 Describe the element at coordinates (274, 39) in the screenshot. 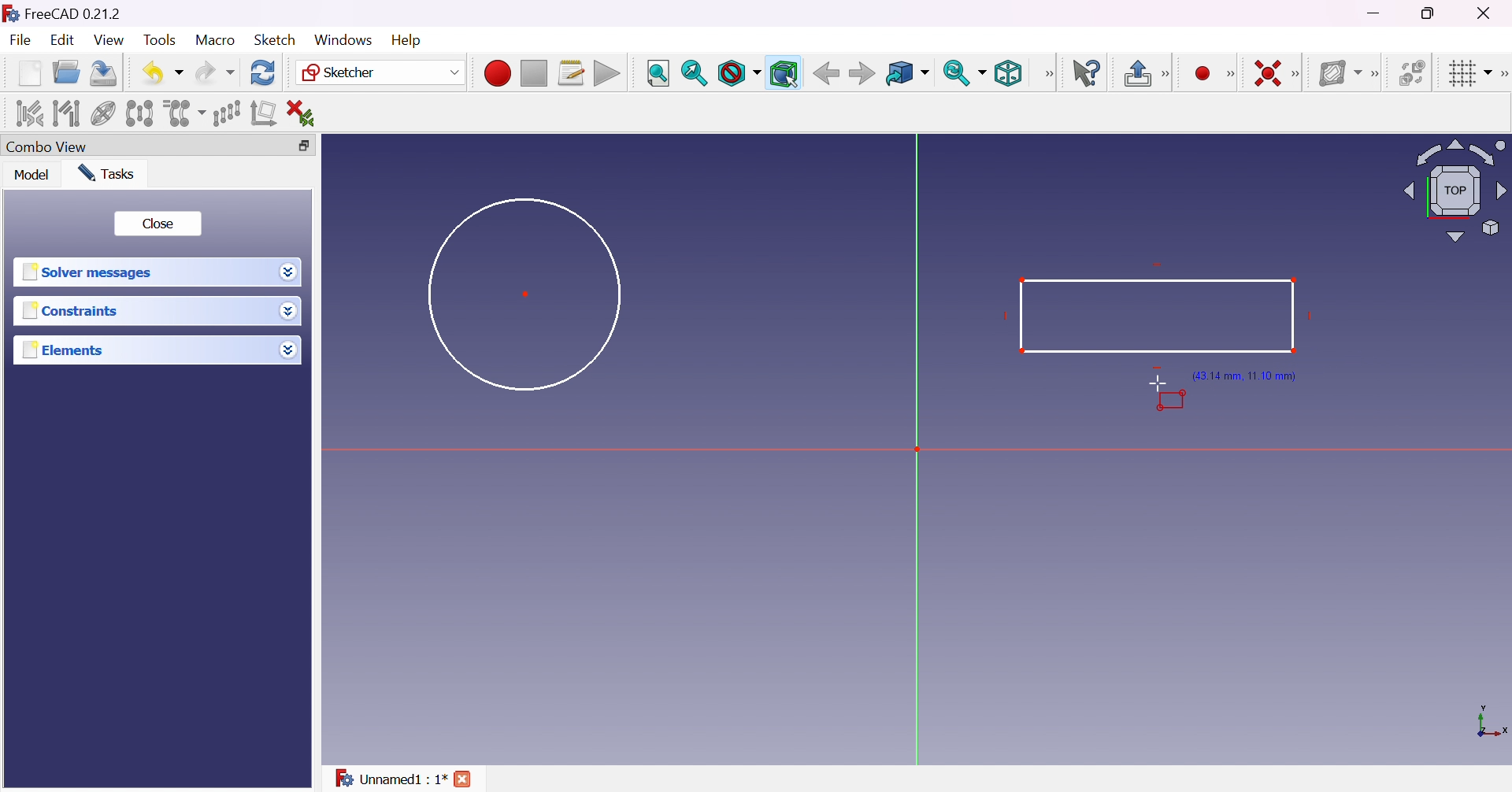

I see `Sketch` at that location.